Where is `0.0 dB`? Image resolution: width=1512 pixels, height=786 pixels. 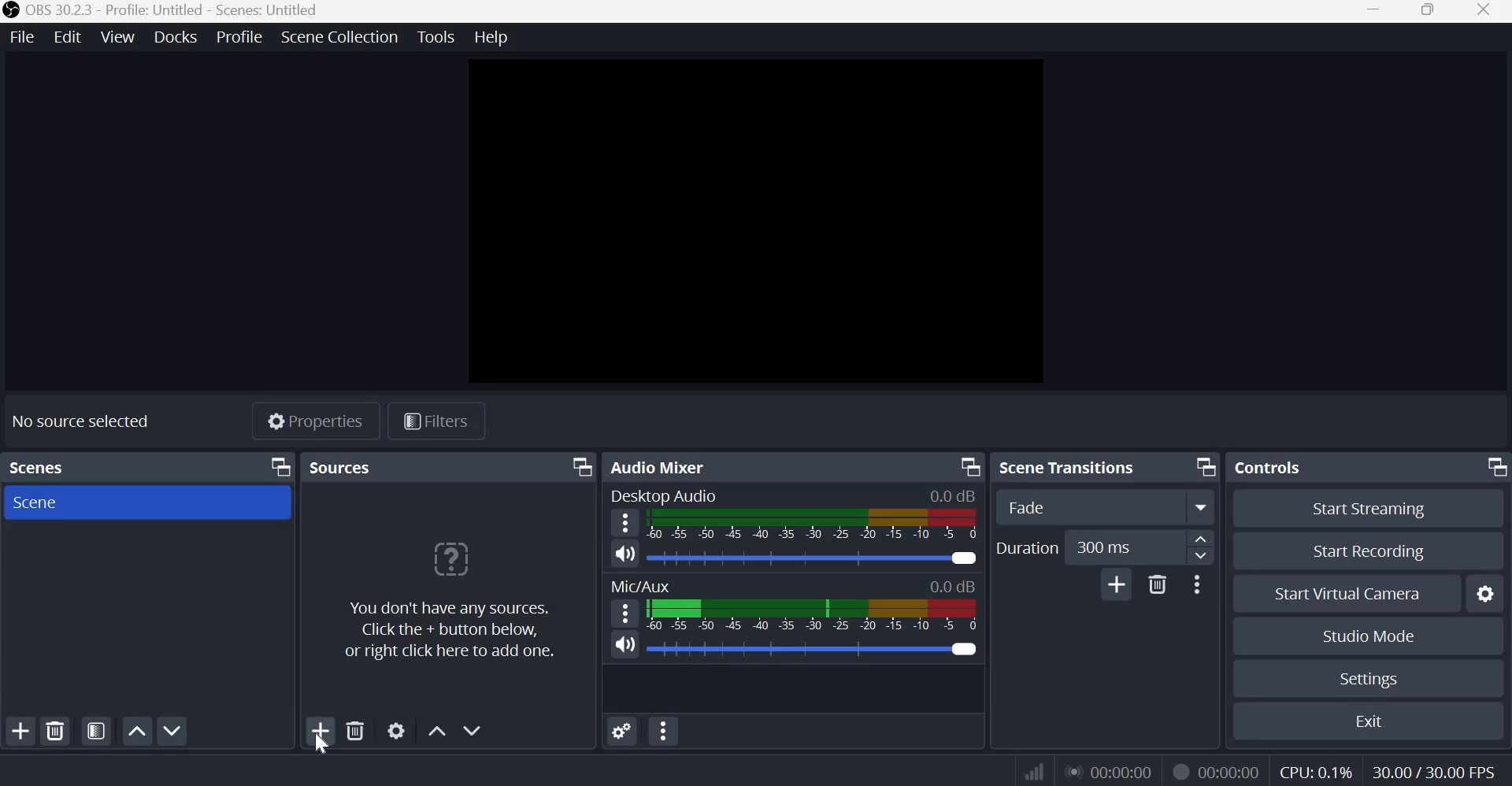
0.0 dB is located at coordinates (953, 496).